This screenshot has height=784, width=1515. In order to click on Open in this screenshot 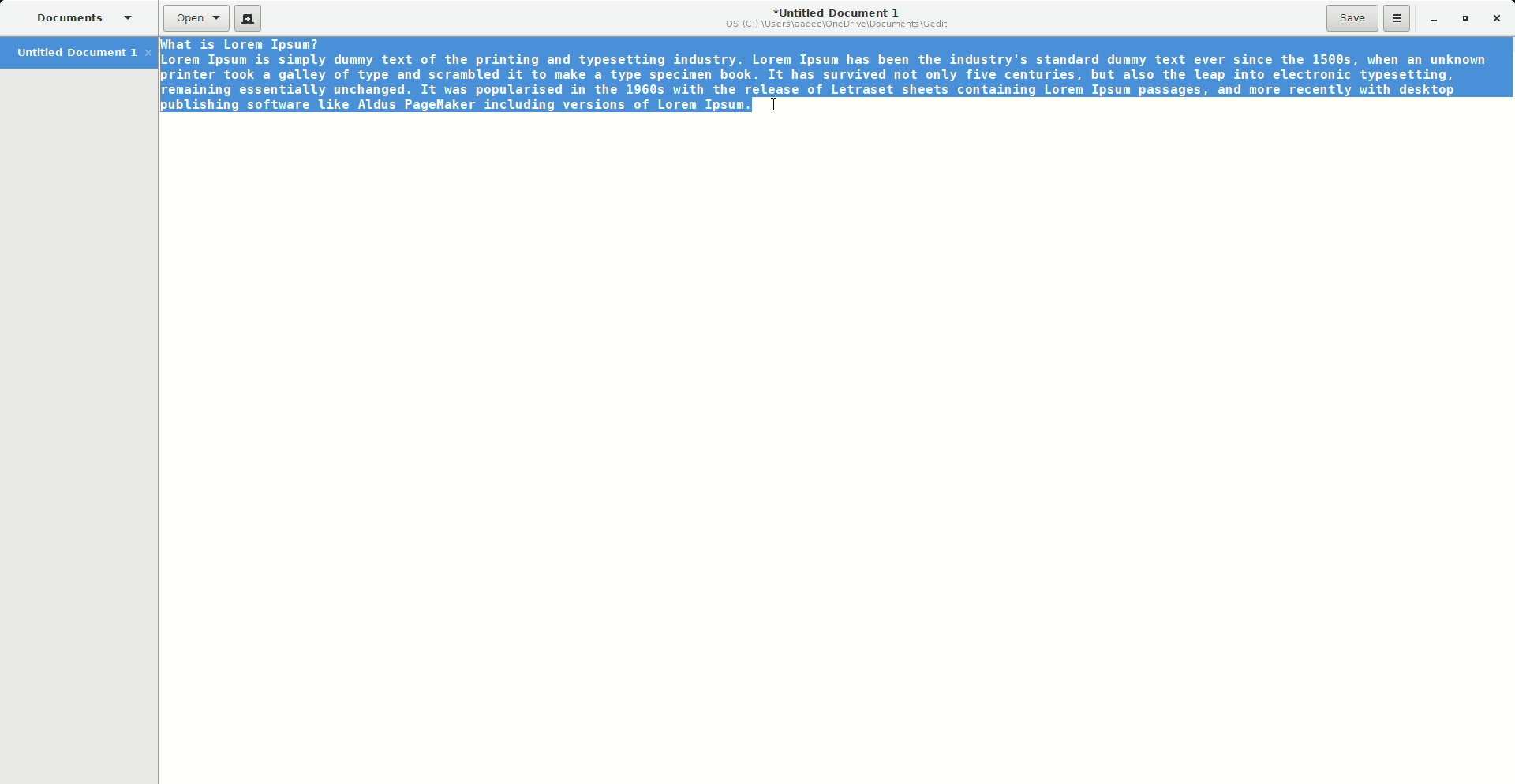, I will do `click(196, 18)`.